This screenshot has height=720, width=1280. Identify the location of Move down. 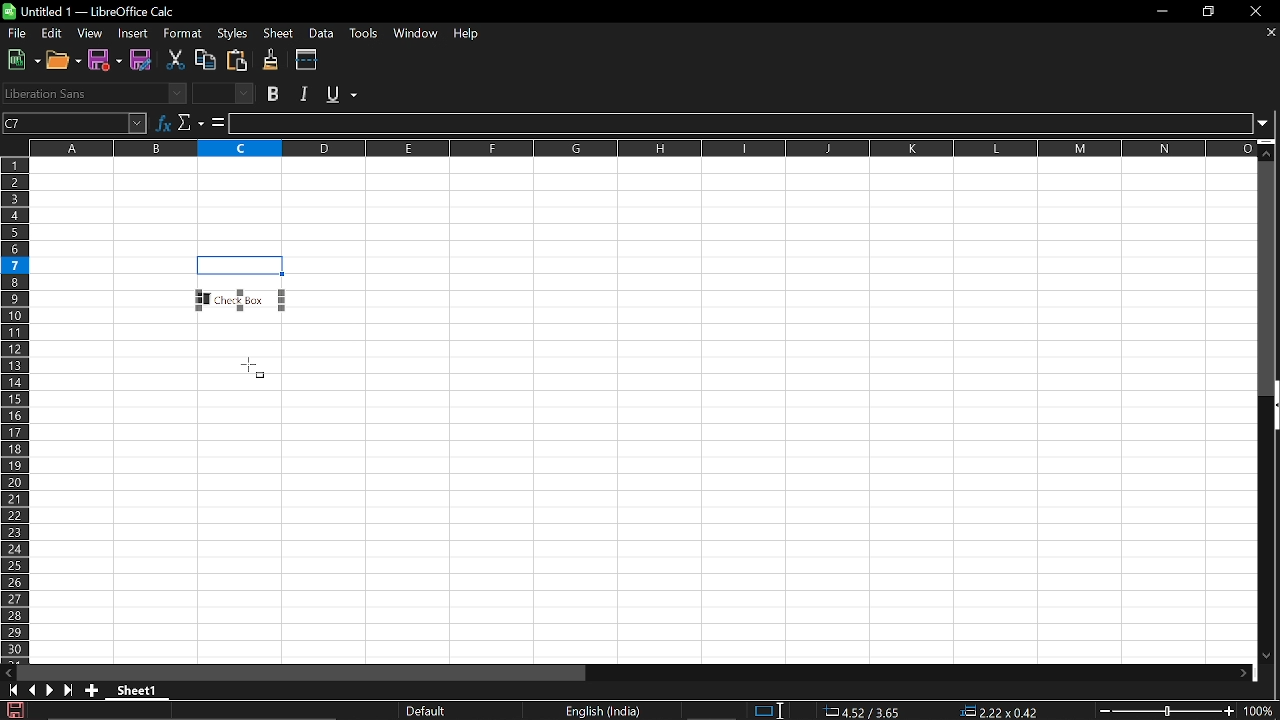
(1267, 657).